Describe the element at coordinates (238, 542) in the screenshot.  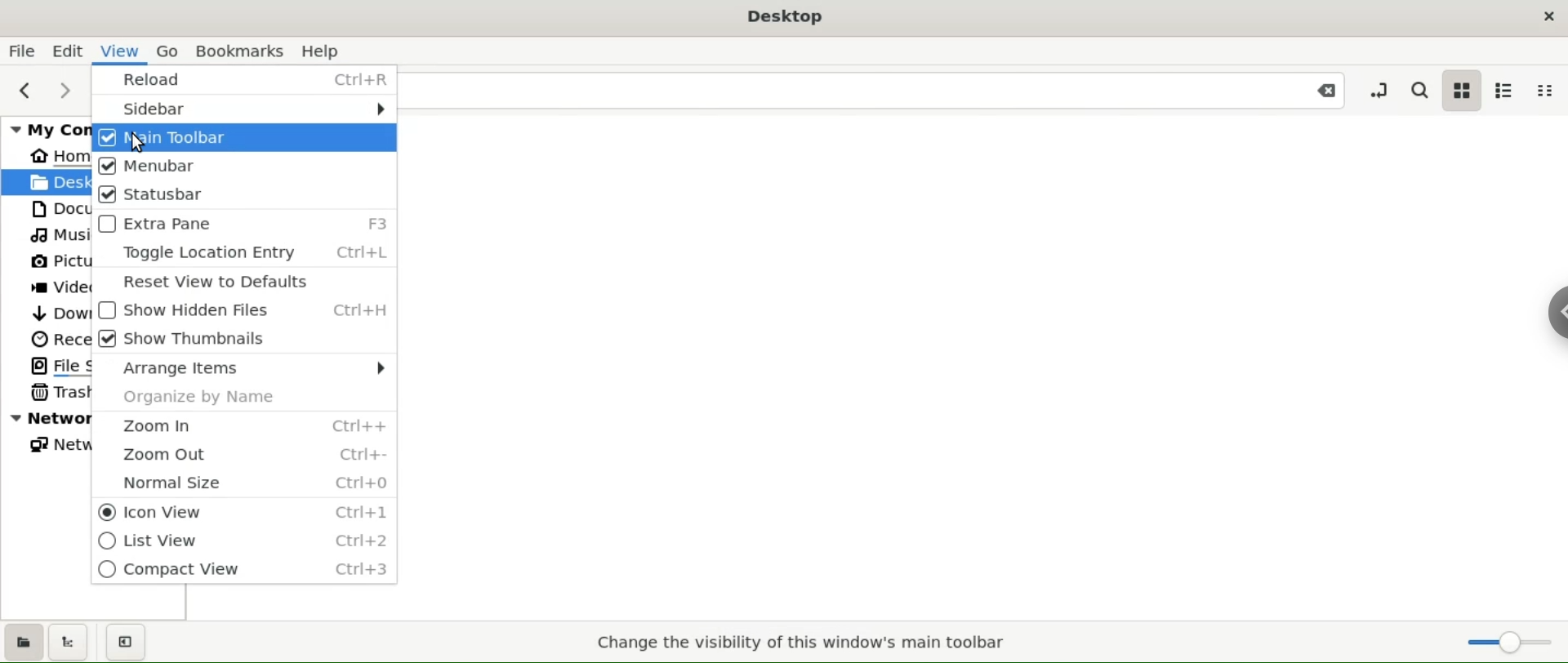
I see `list view` at that location.